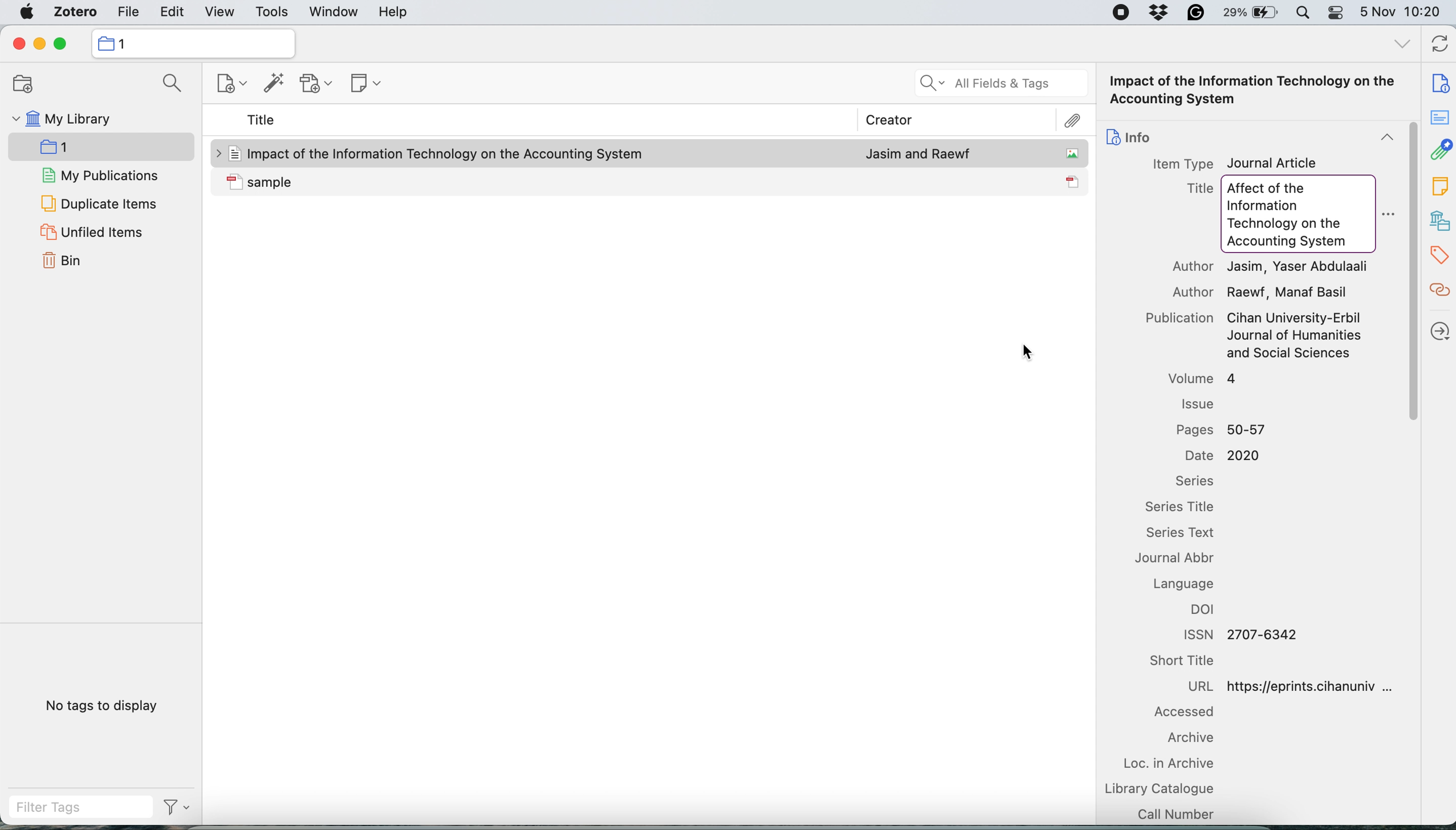 This screenshot has height=830, width=1456. I want to click on my publications, so click(100, 175).